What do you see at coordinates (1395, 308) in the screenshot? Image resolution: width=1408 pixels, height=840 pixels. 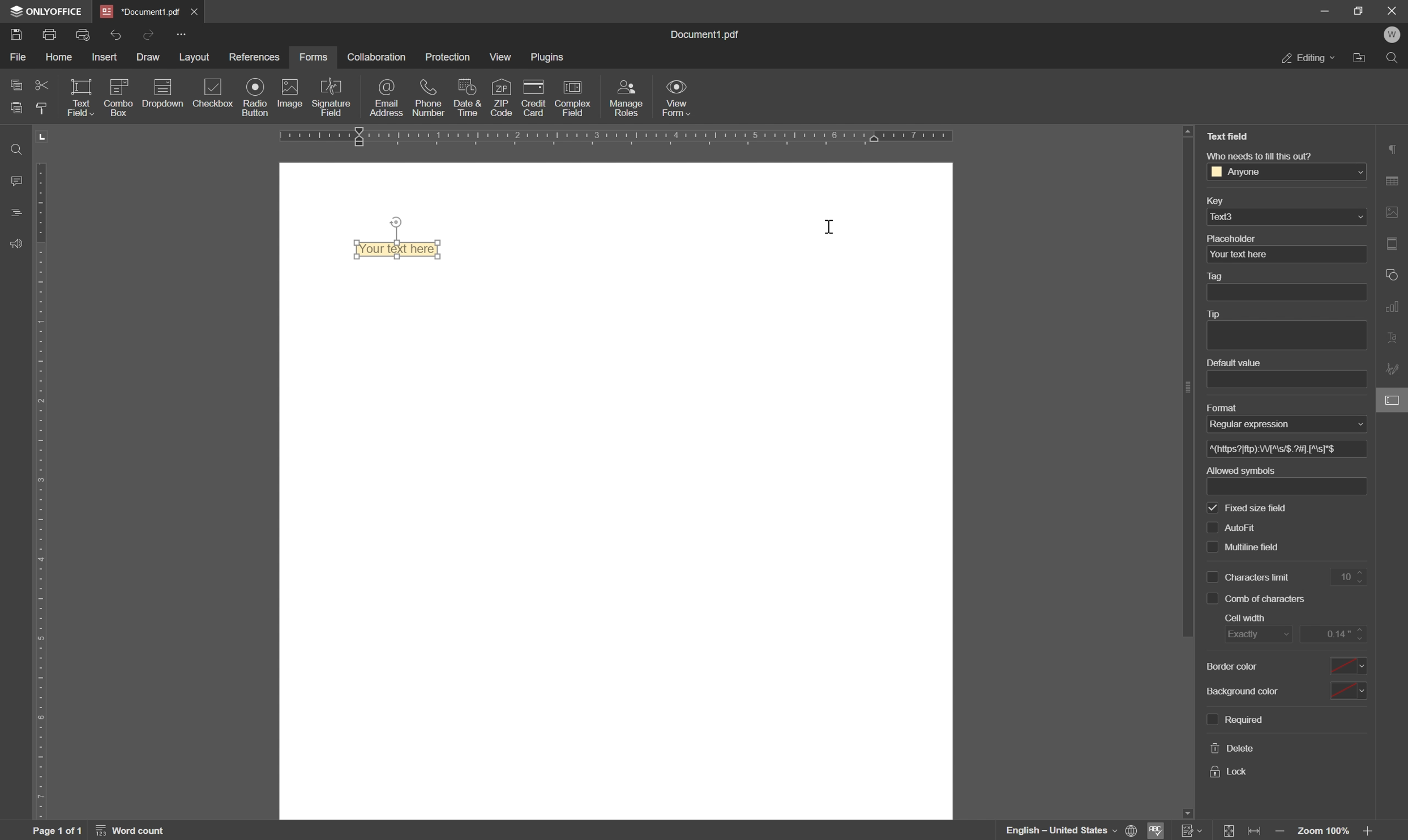 I see `chart settings` at bounding box center [1395, 308].